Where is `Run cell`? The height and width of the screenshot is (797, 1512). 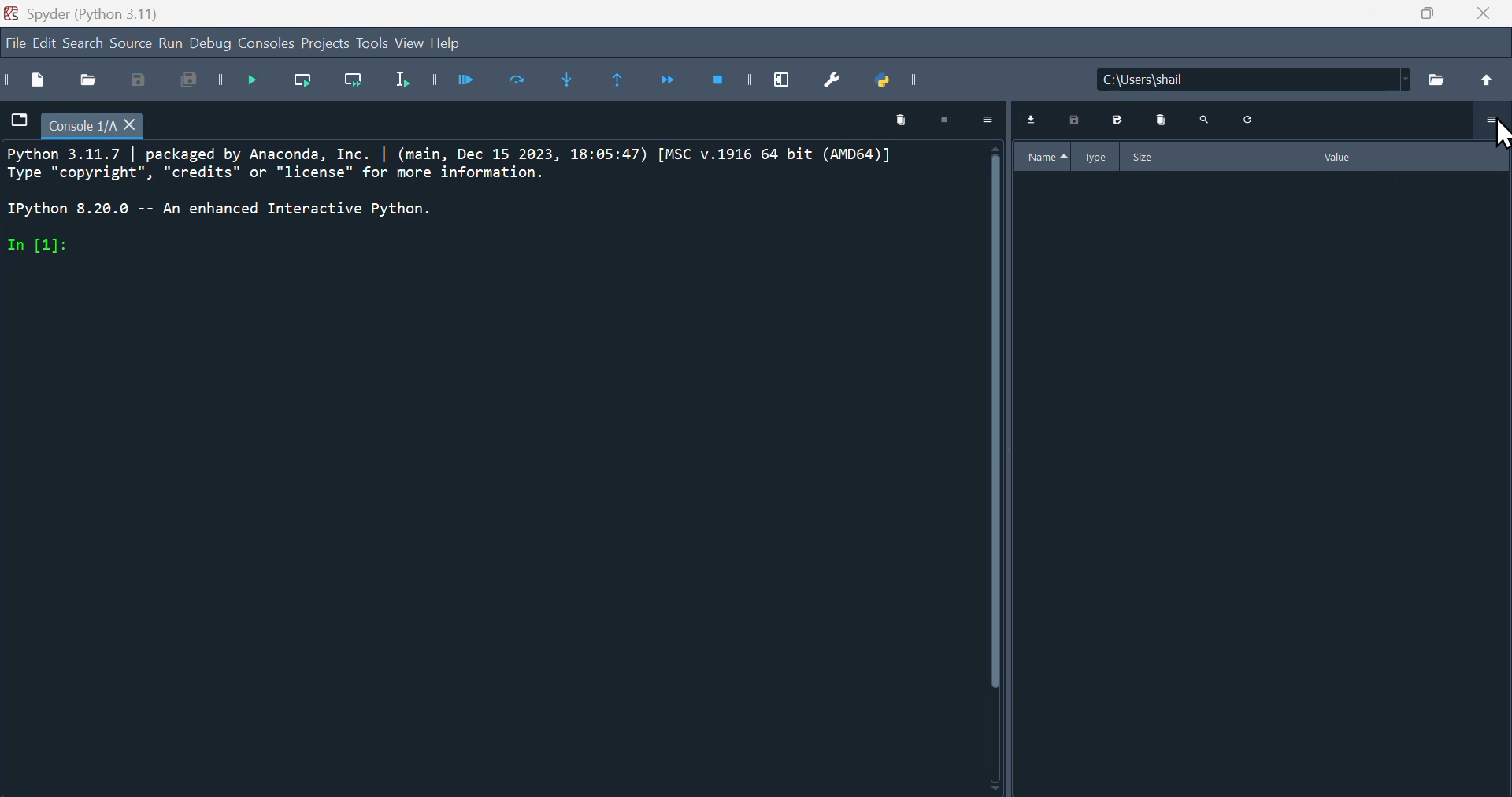
Run cell is located at coordinates (472, 81).